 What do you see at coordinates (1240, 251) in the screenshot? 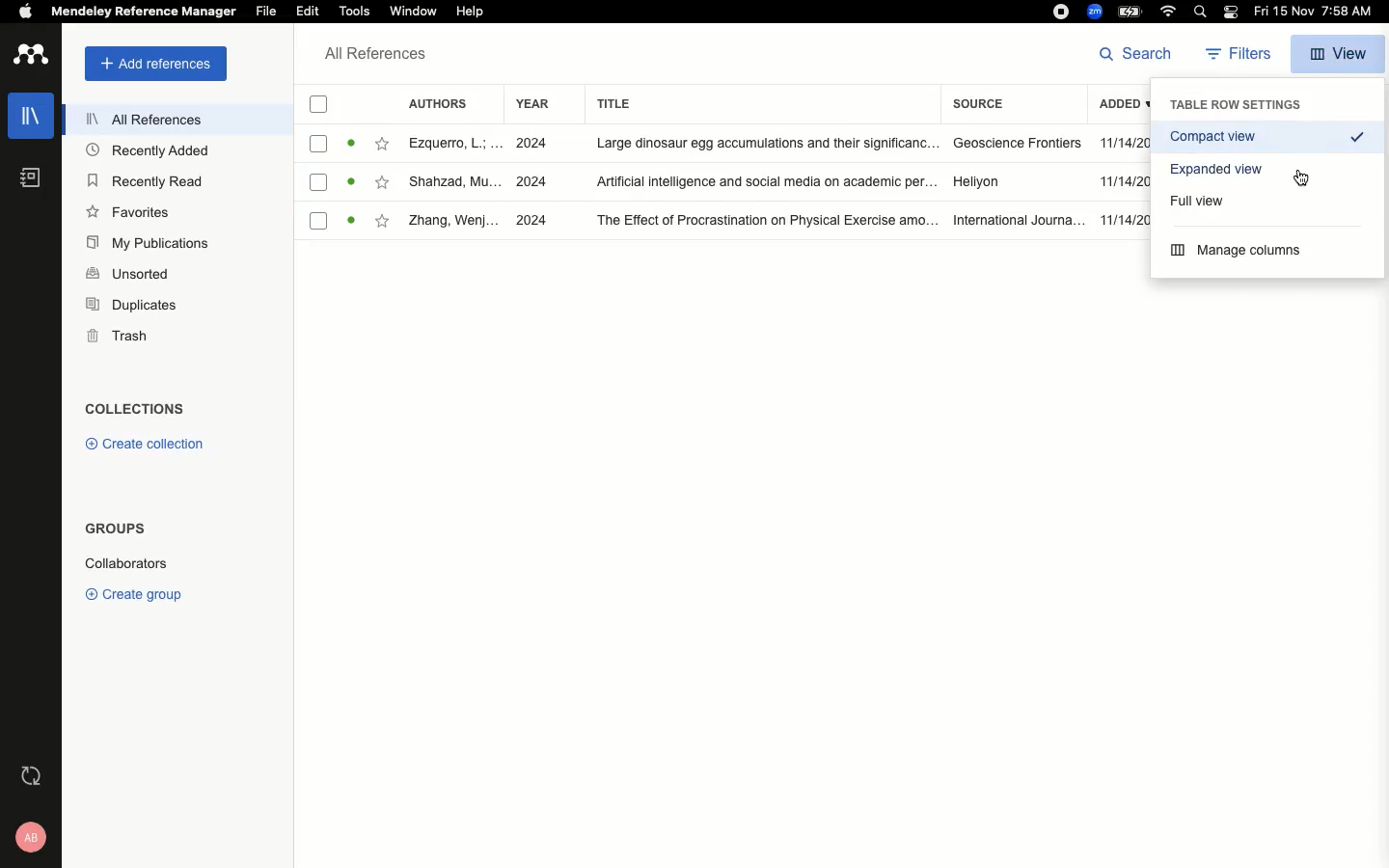
I see `Manage columns` at bounding box center [1240, 251].